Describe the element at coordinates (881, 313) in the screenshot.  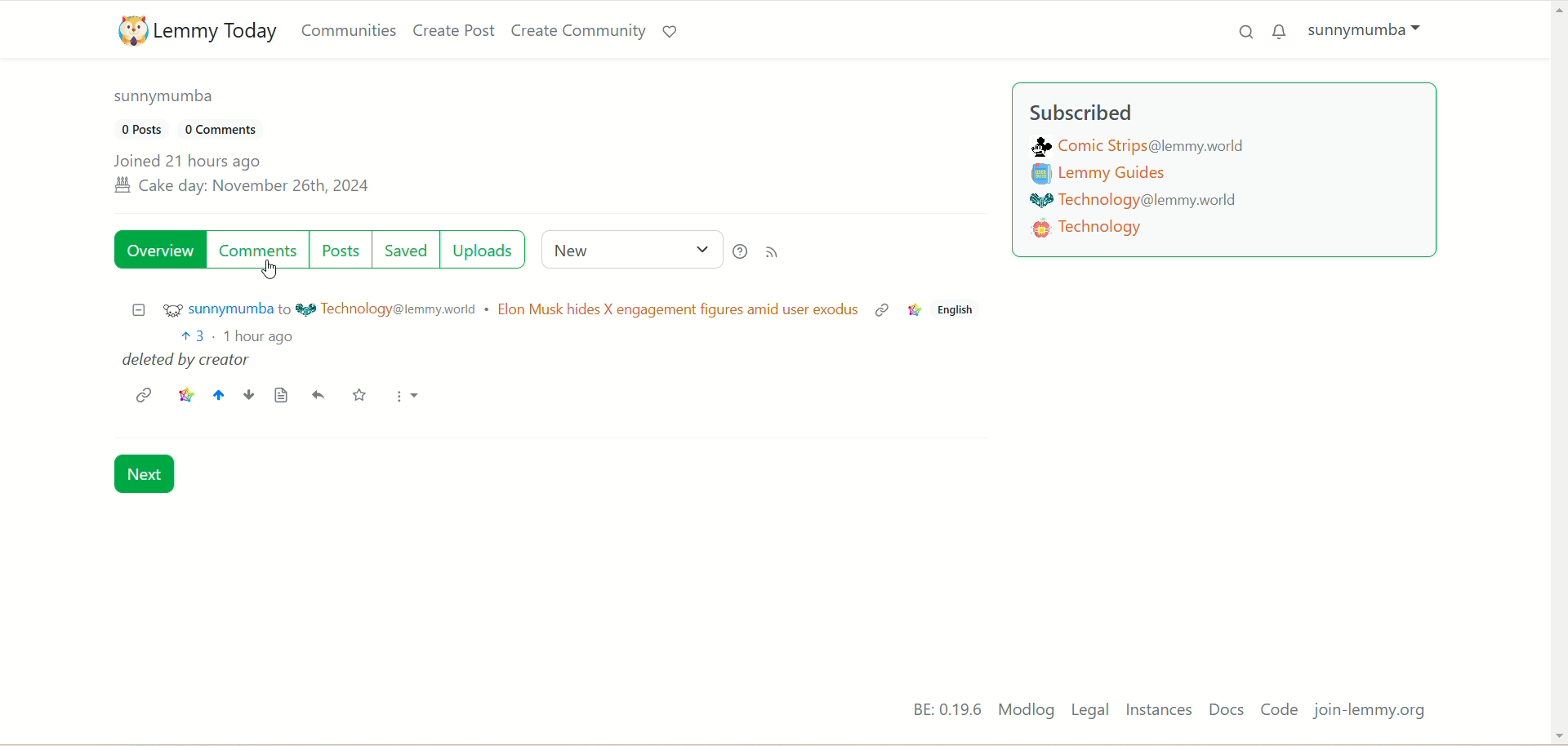
I see `` at that location.